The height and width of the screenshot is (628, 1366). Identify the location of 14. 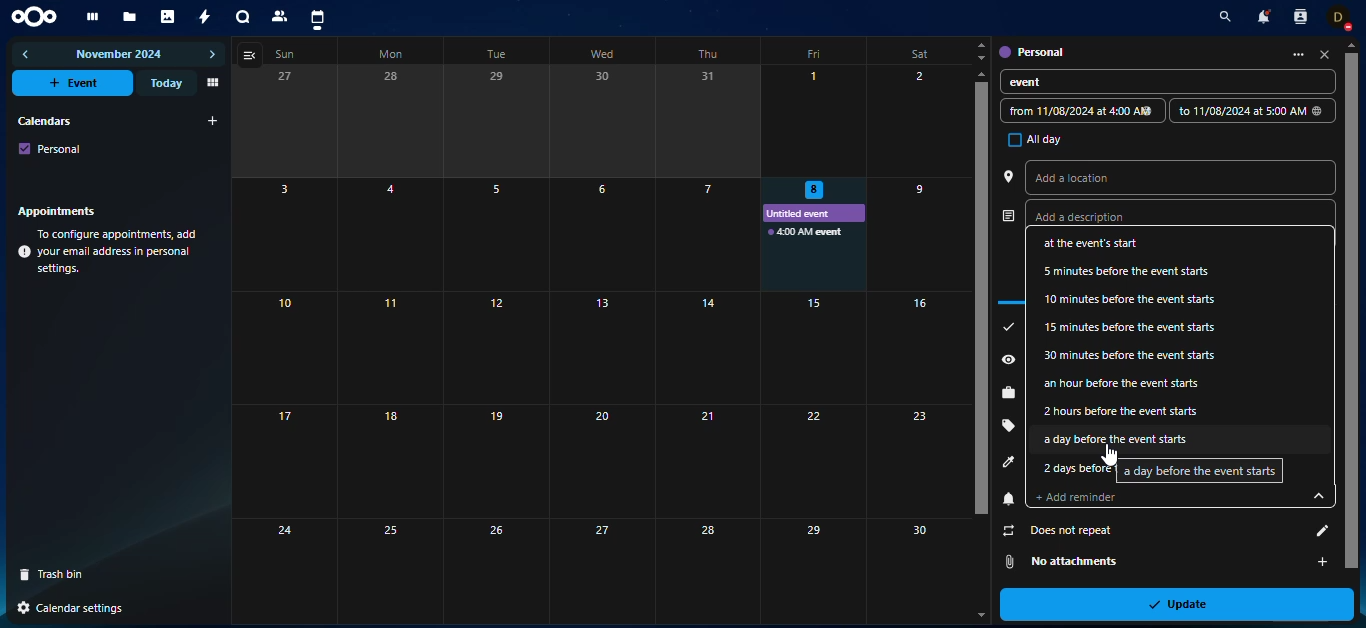
(705, 348).